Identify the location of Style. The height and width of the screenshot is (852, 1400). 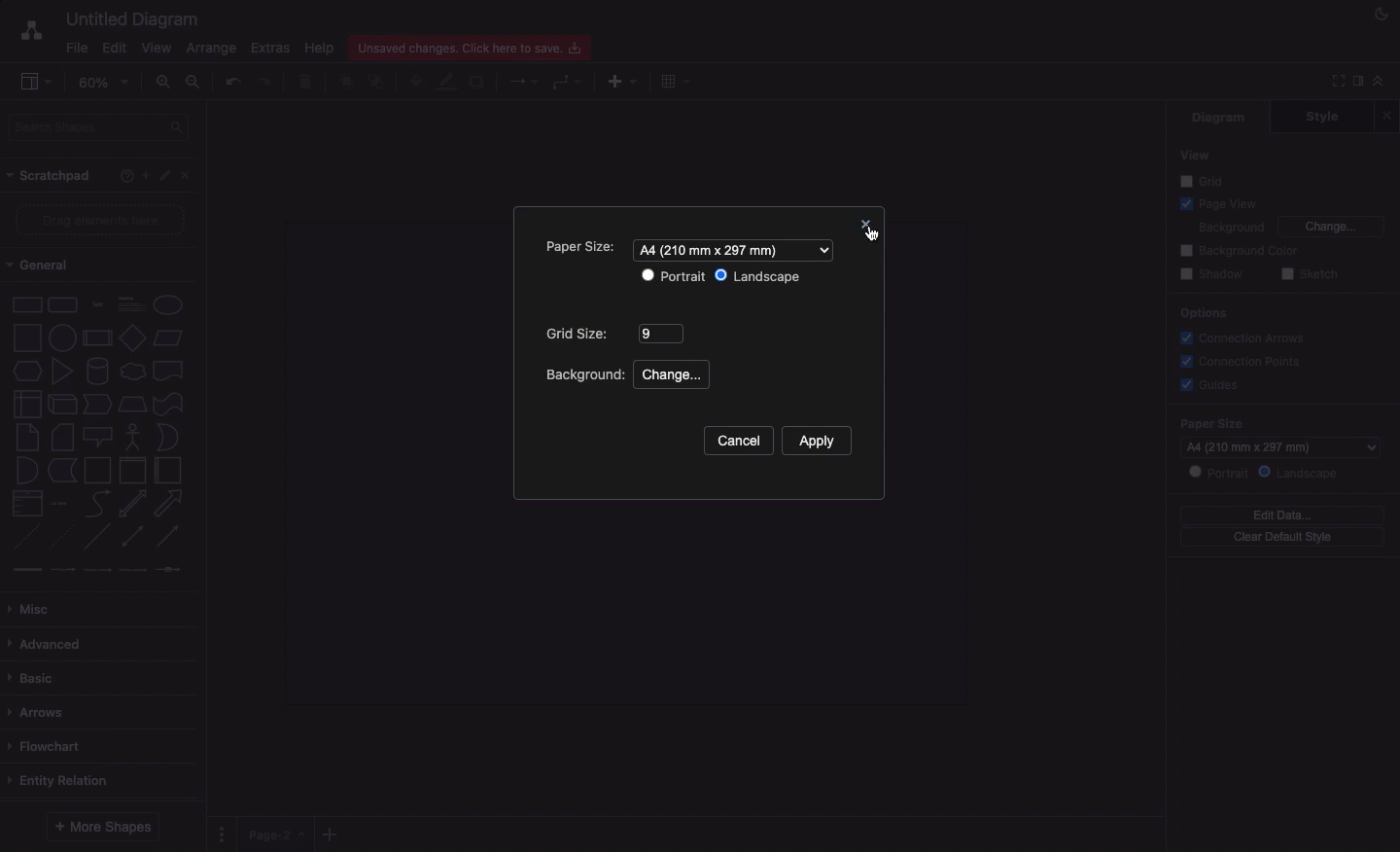
(1321, 117).